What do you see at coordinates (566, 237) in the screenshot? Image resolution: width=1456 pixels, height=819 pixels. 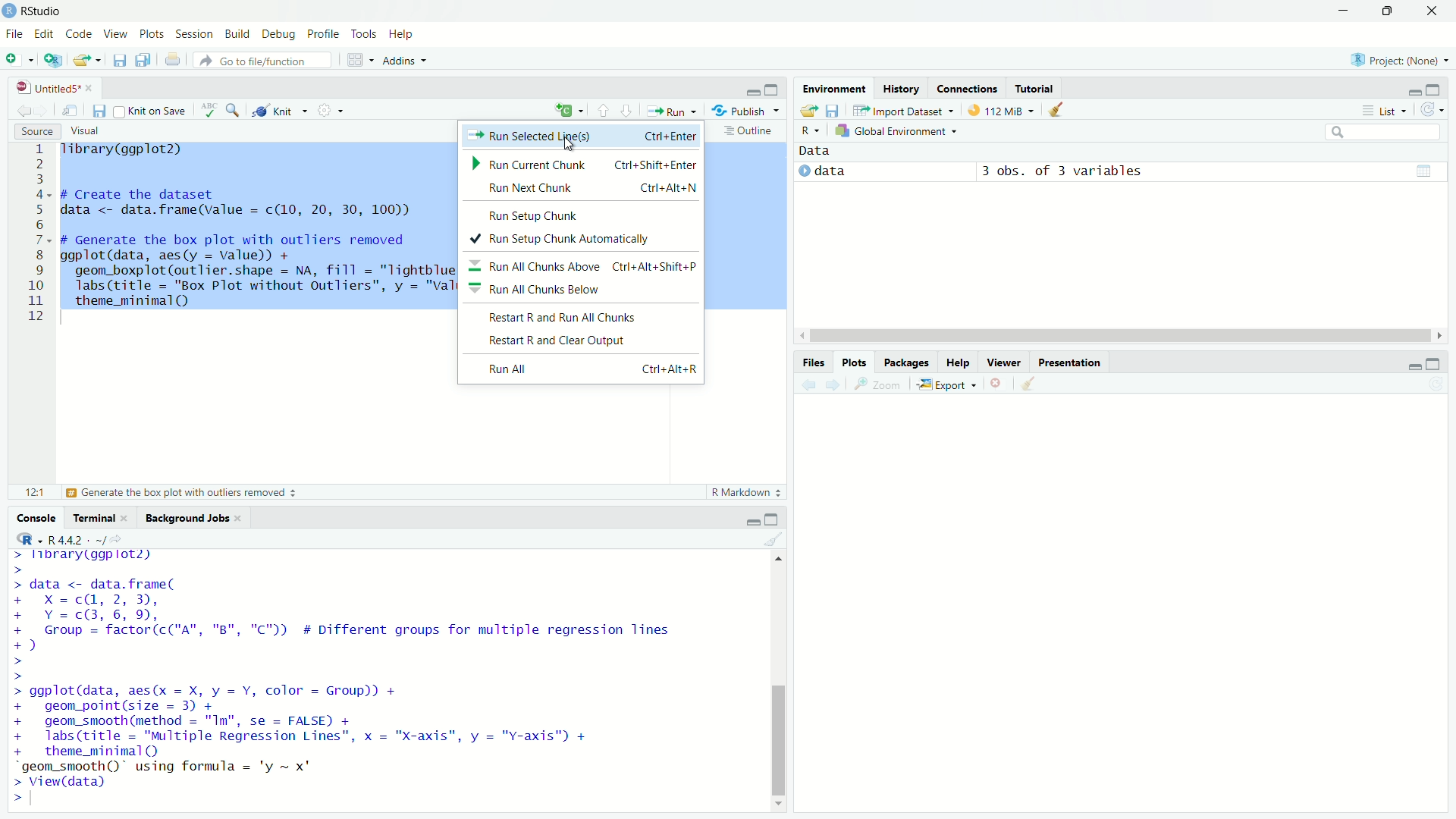 I see `+ Run Setup Chunk Automatically` at bounding box center [566, 237].